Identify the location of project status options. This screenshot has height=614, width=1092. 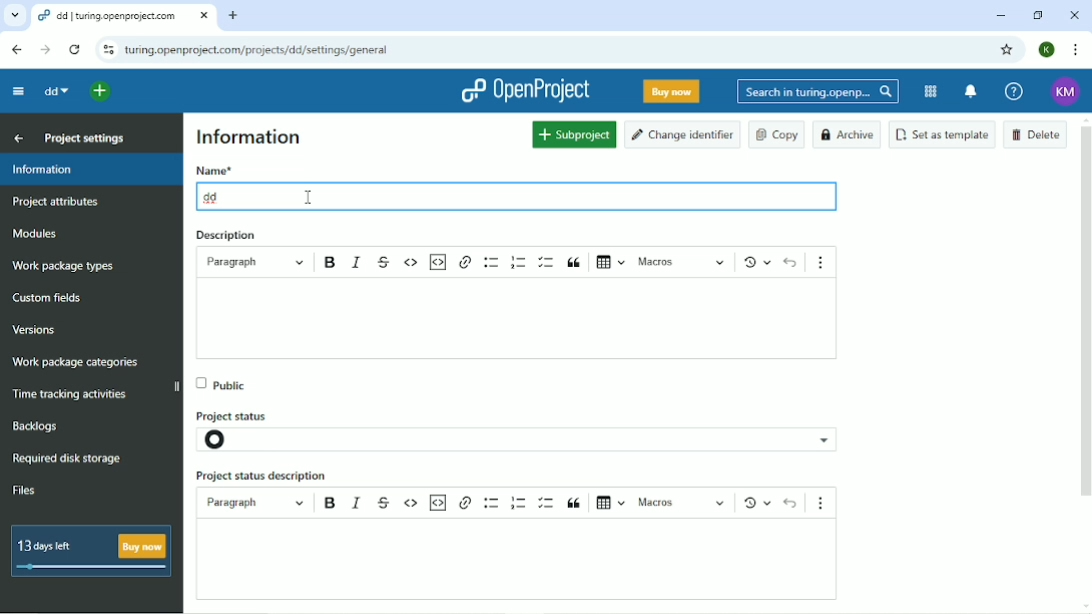
(827, 439).